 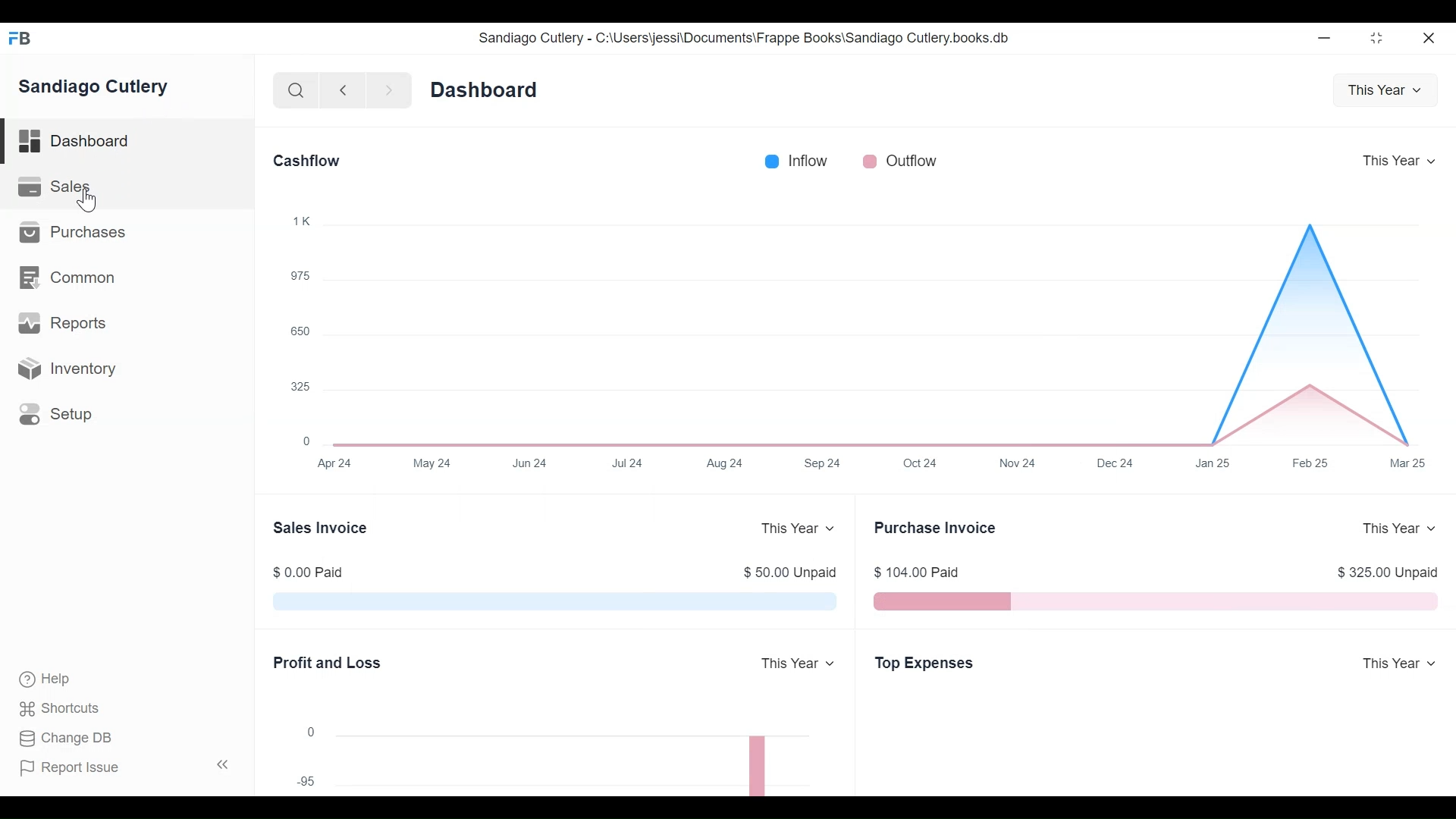 I want to click on Dashboard, so click(x=75, y=140).